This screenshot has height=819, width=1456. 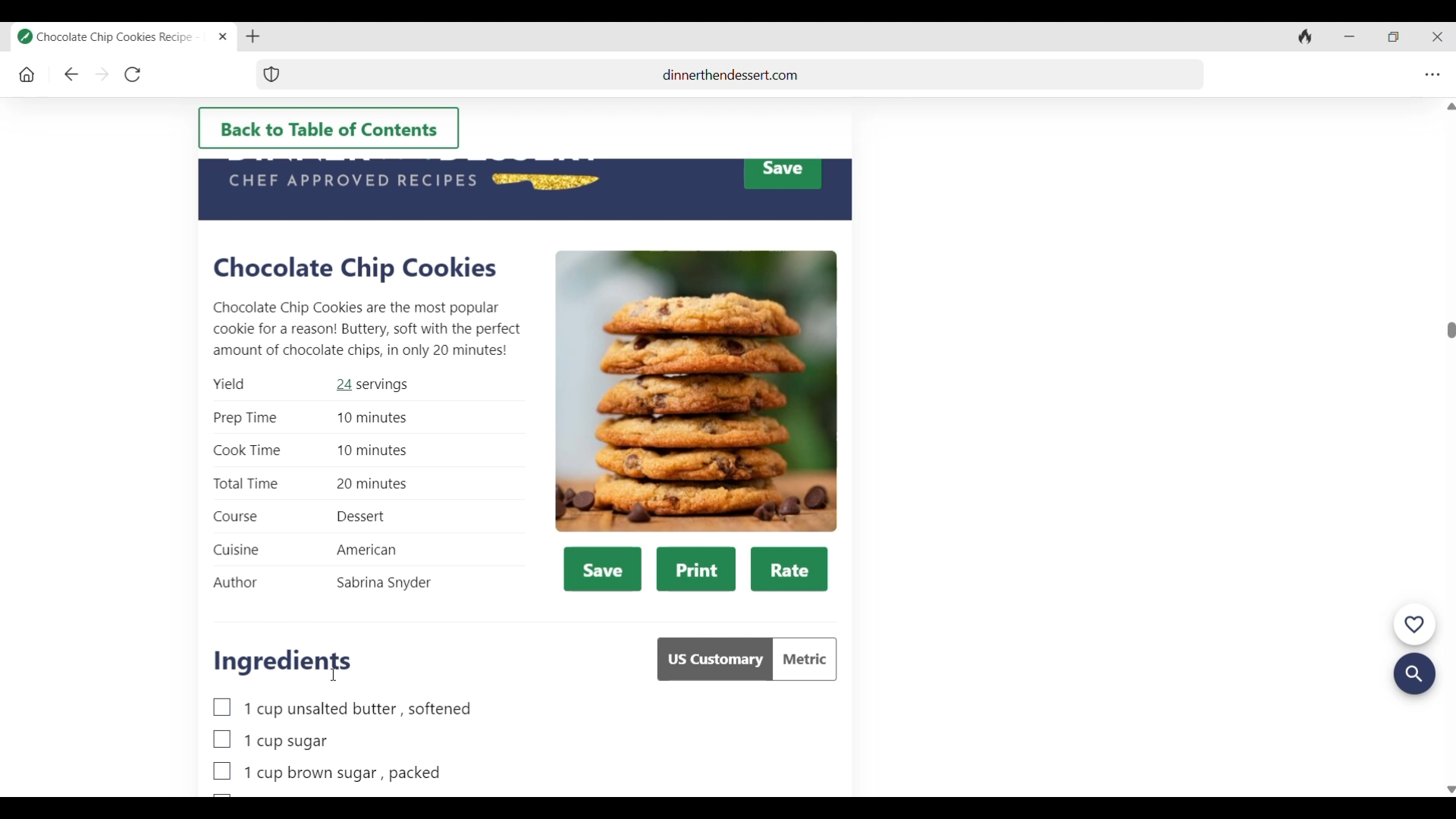 I want to click on Go forward, so click(x=102, y=75).